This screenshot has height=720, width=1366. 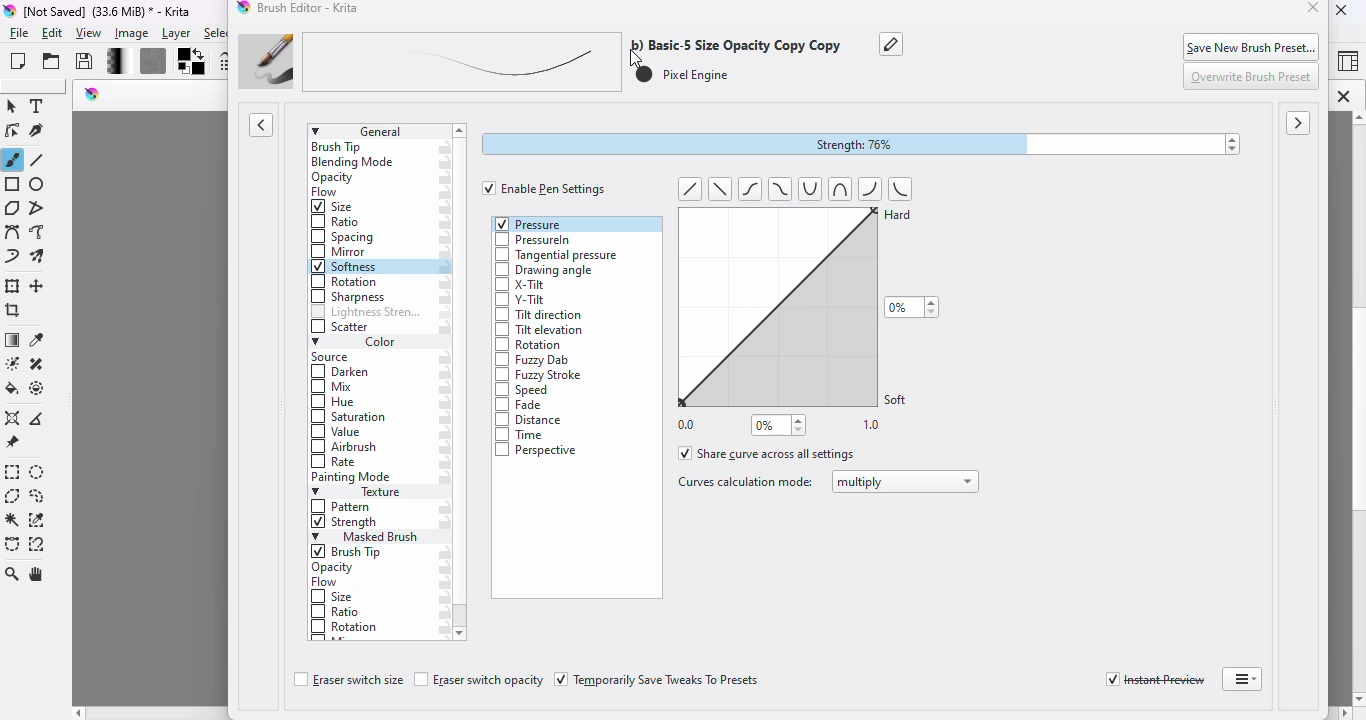 I want to click on Left diagonal, so click(x=690, y=188).